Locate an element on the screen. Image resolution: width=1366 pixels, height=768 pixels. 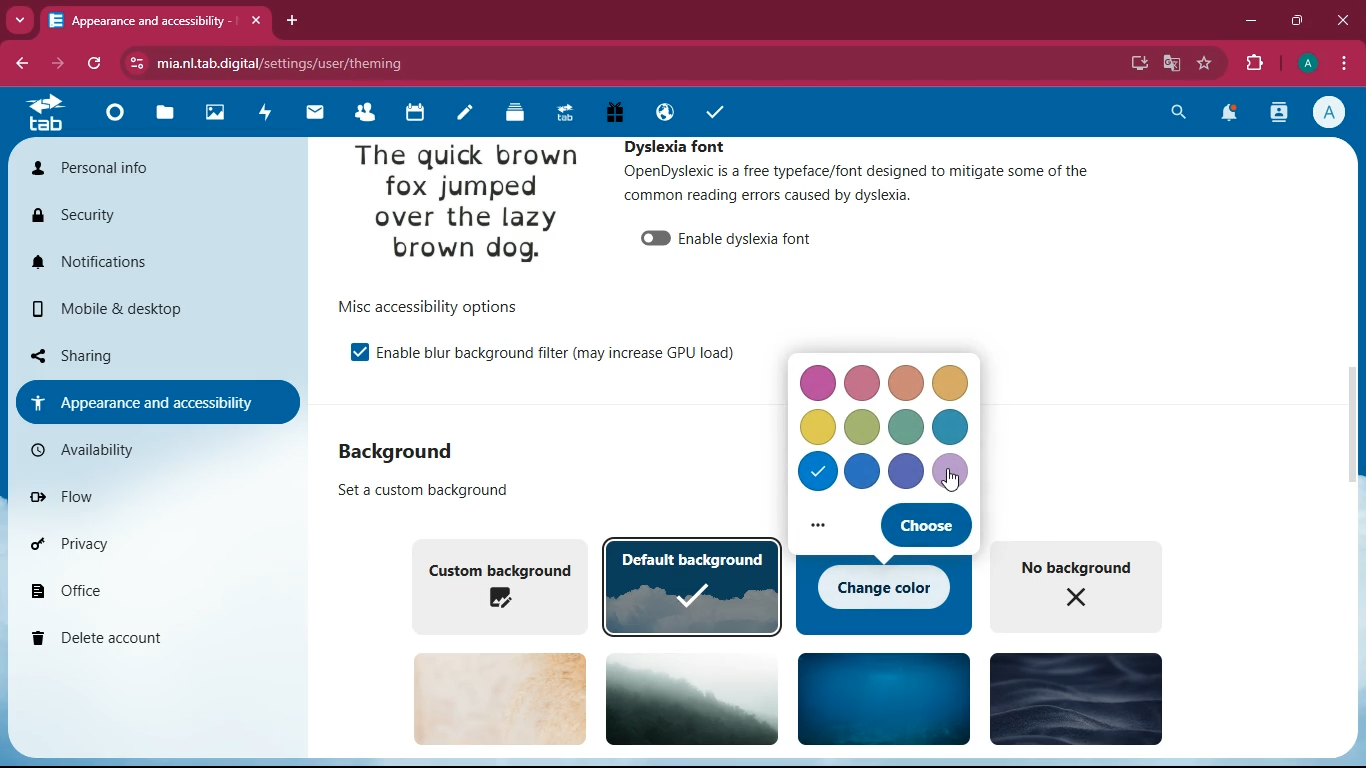
mobile & desktop is located at coordinates (125, 309).